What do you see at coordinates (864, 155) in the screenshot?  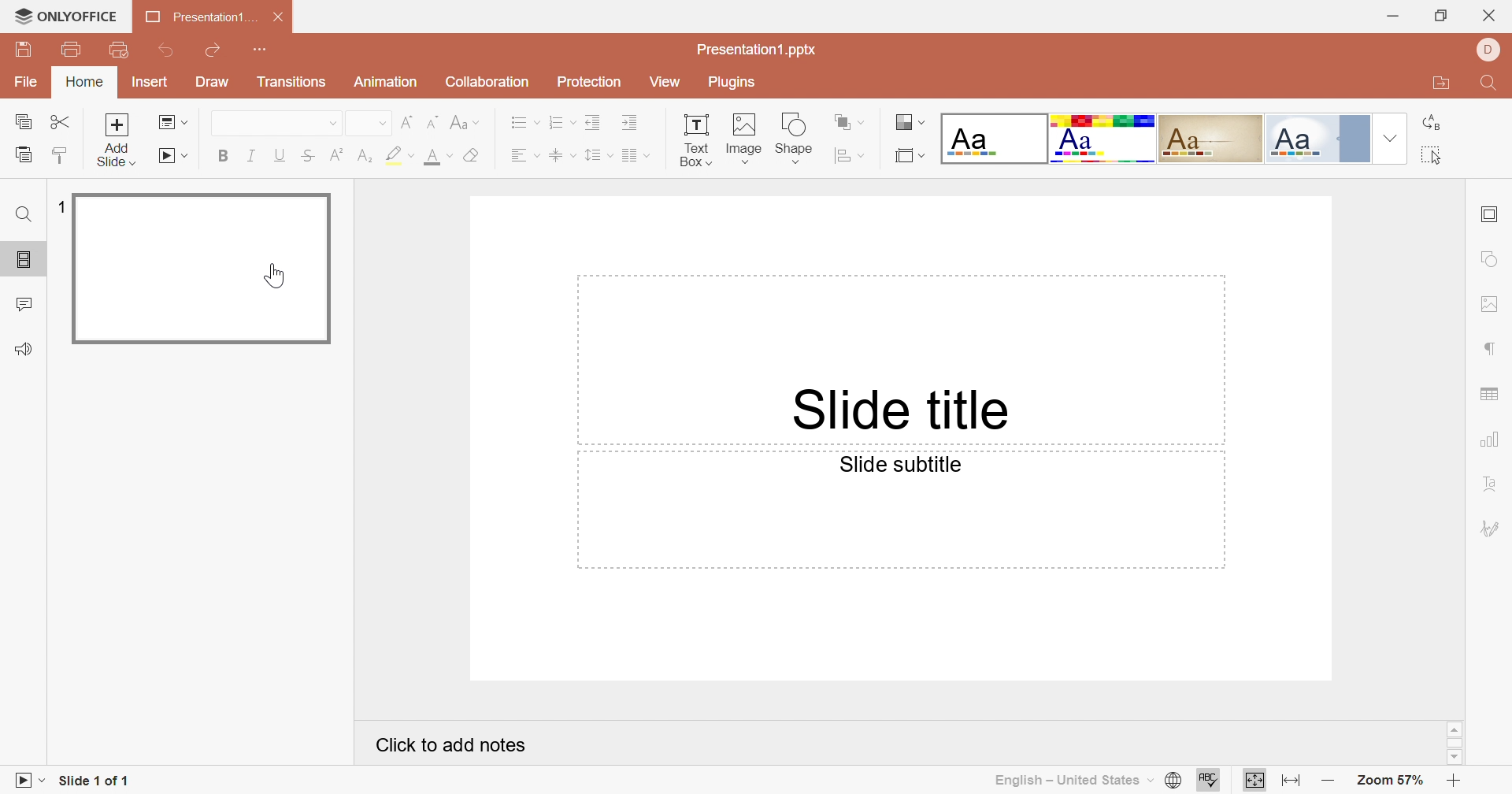 I see `Drop Down` at bounding box center [864, 155].